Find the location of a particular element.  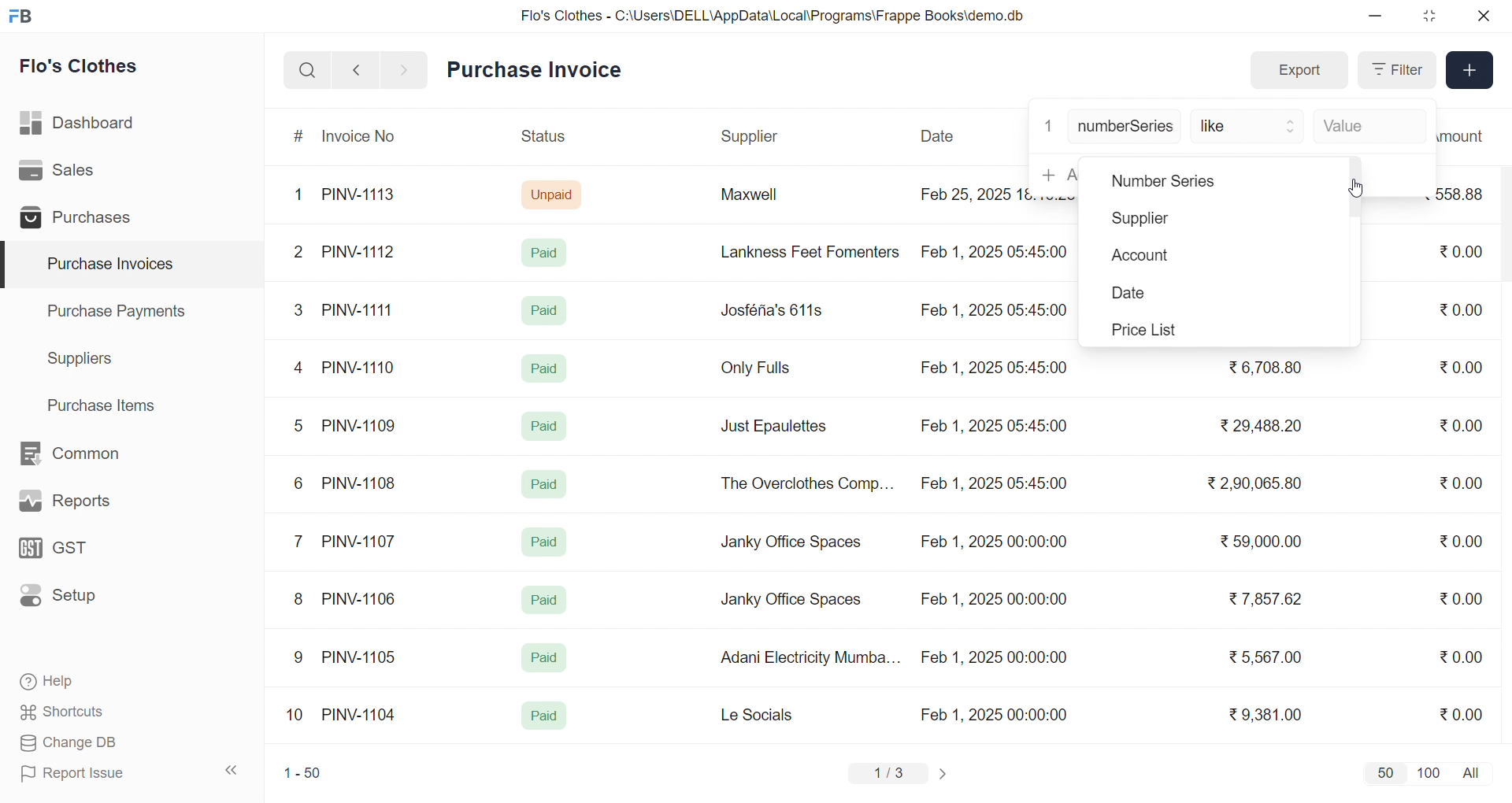

₹0.00 is located at coordinates (1458, 253).